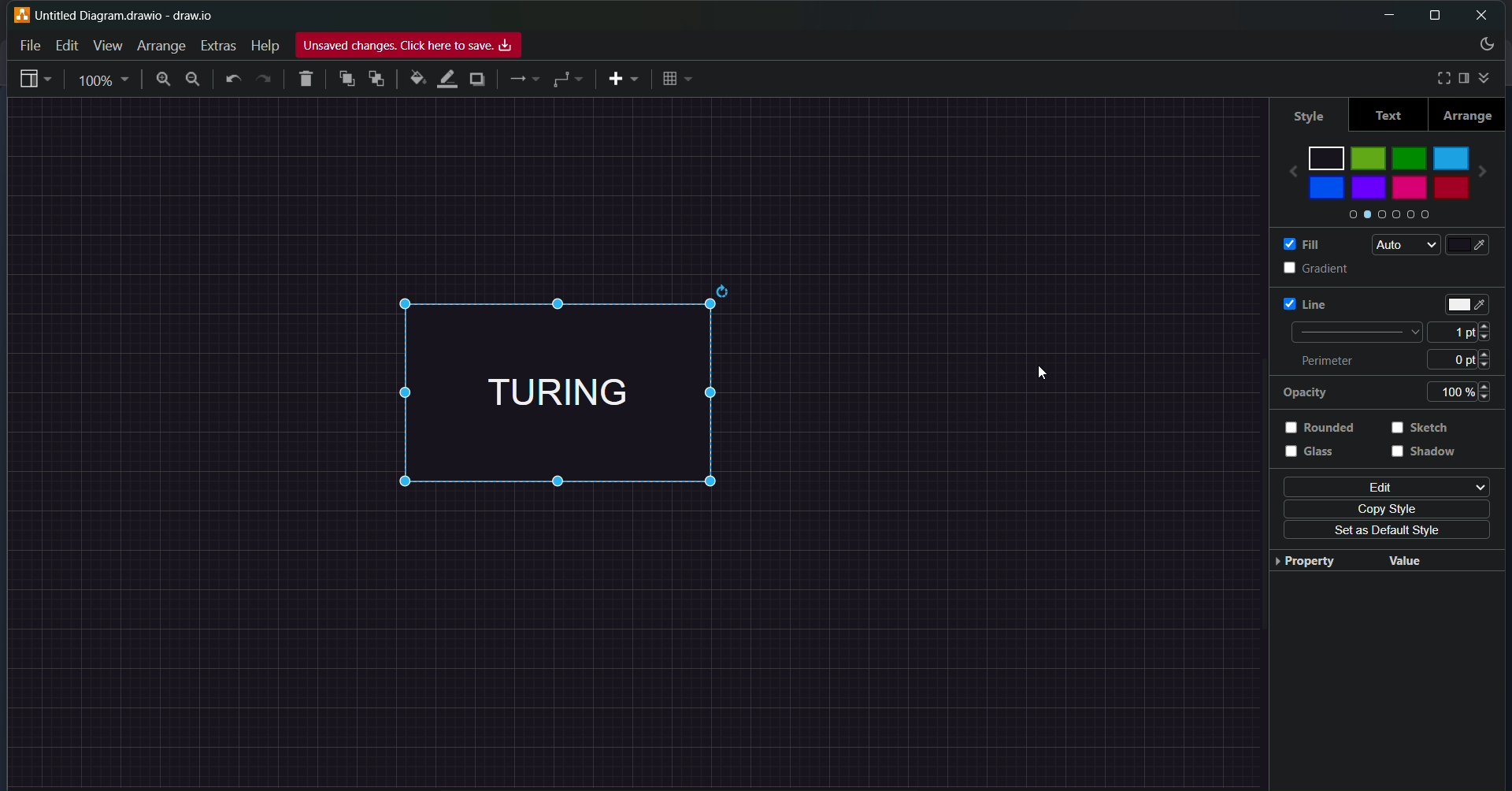 The width and height of the screenshot is (1512, 791). What do you see at coordinates (1352, 332) in the screenshot?
I see `current line` at bounding box center [1352, 332].